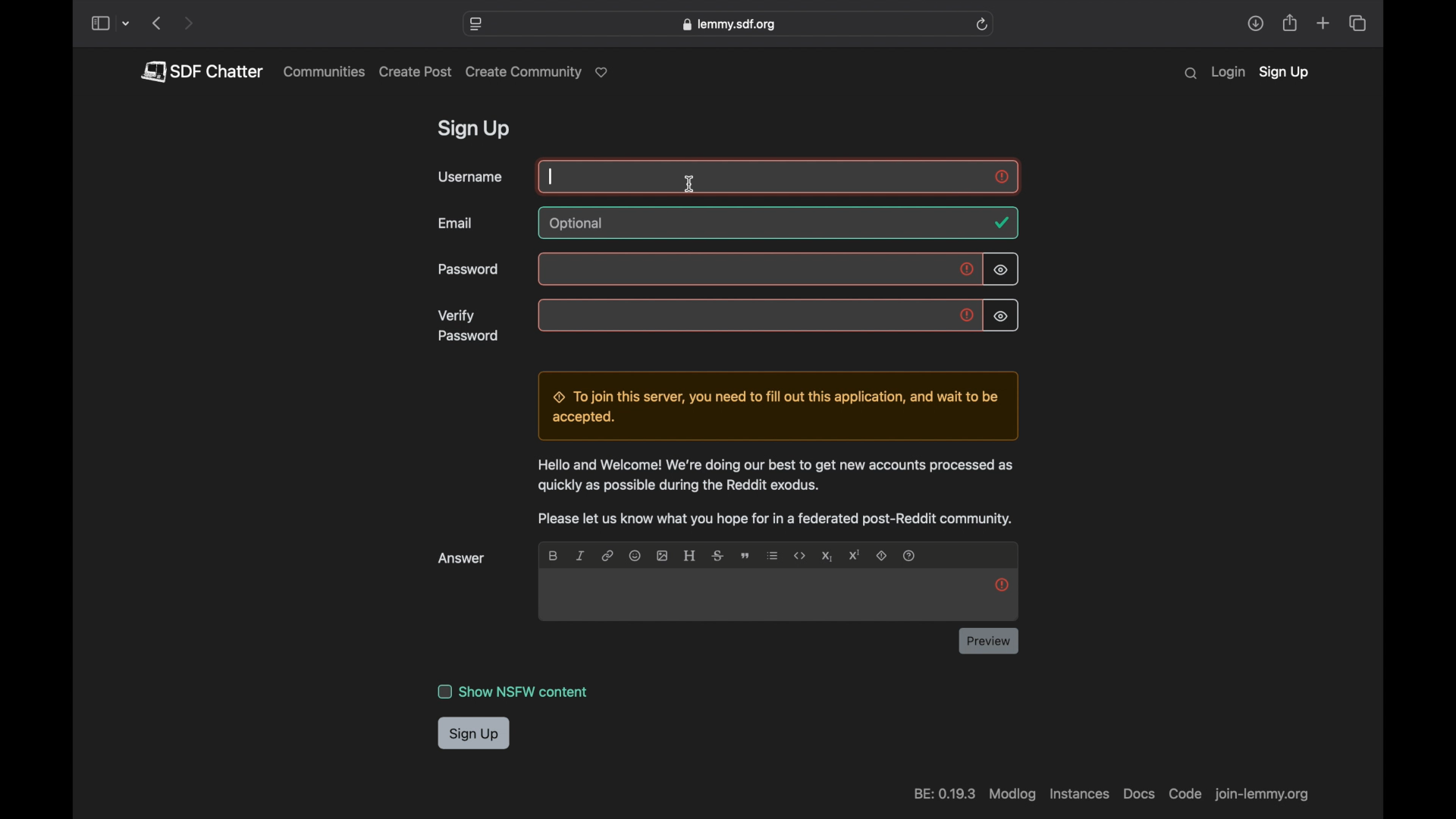  Describe the element at coordinates (1078, 794) in the screenshot. I see `instances` at that location.